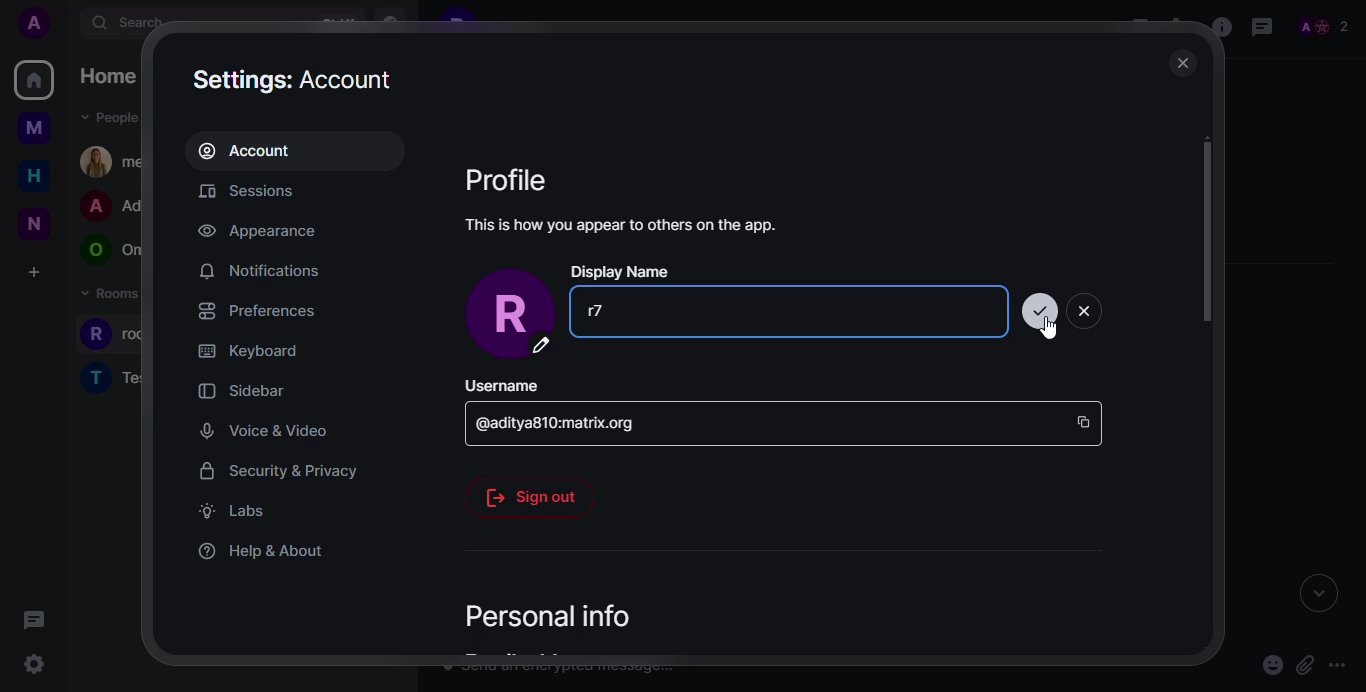  Describe the element at coordinates (1183, 61) in the screenshot. I see `close` at that location.